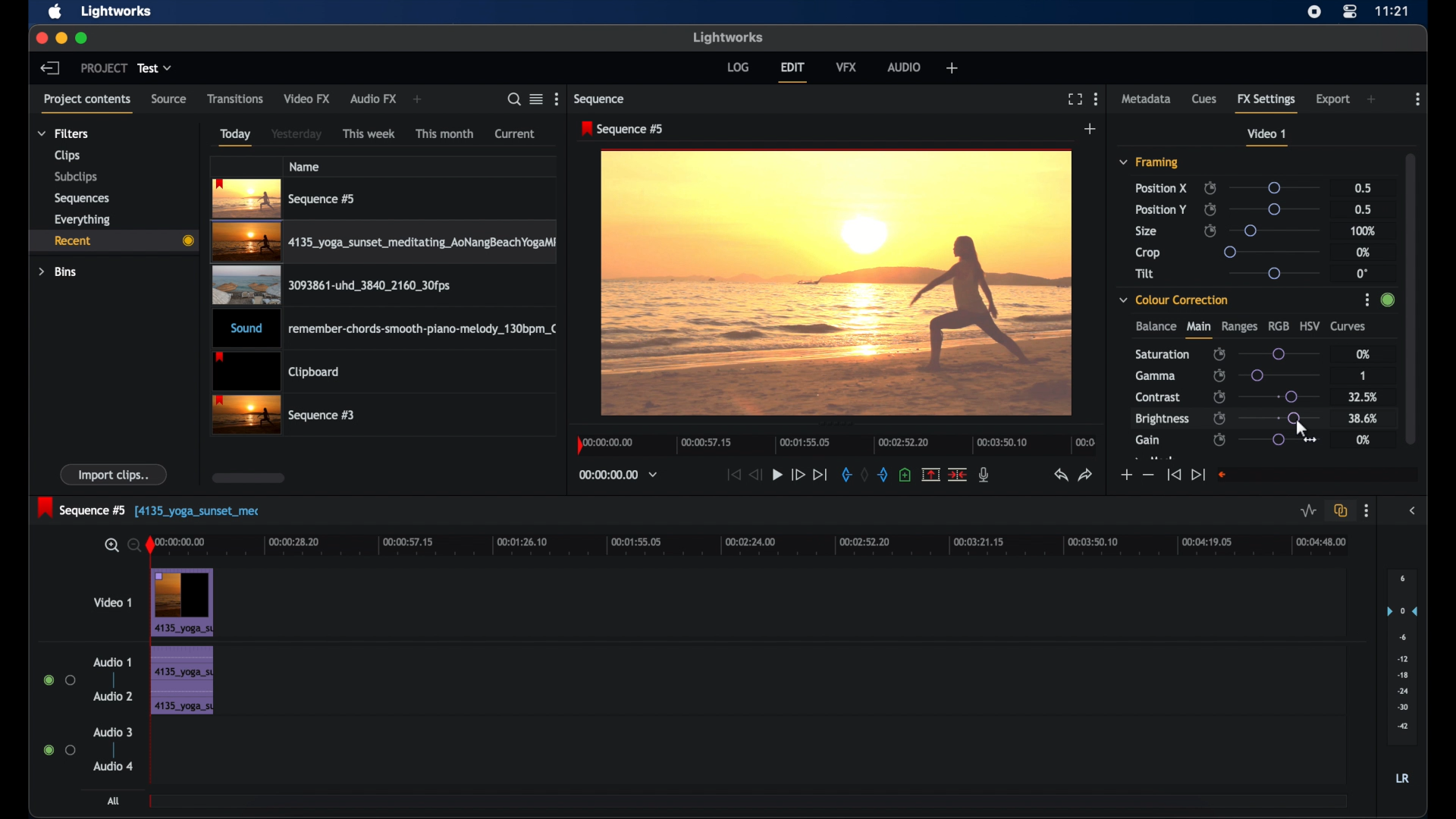 The height and width of the screenshot is (819, 1456). Describe the element at coordinates (1316, 475) in the screenshot. I see `empty field` at that location.